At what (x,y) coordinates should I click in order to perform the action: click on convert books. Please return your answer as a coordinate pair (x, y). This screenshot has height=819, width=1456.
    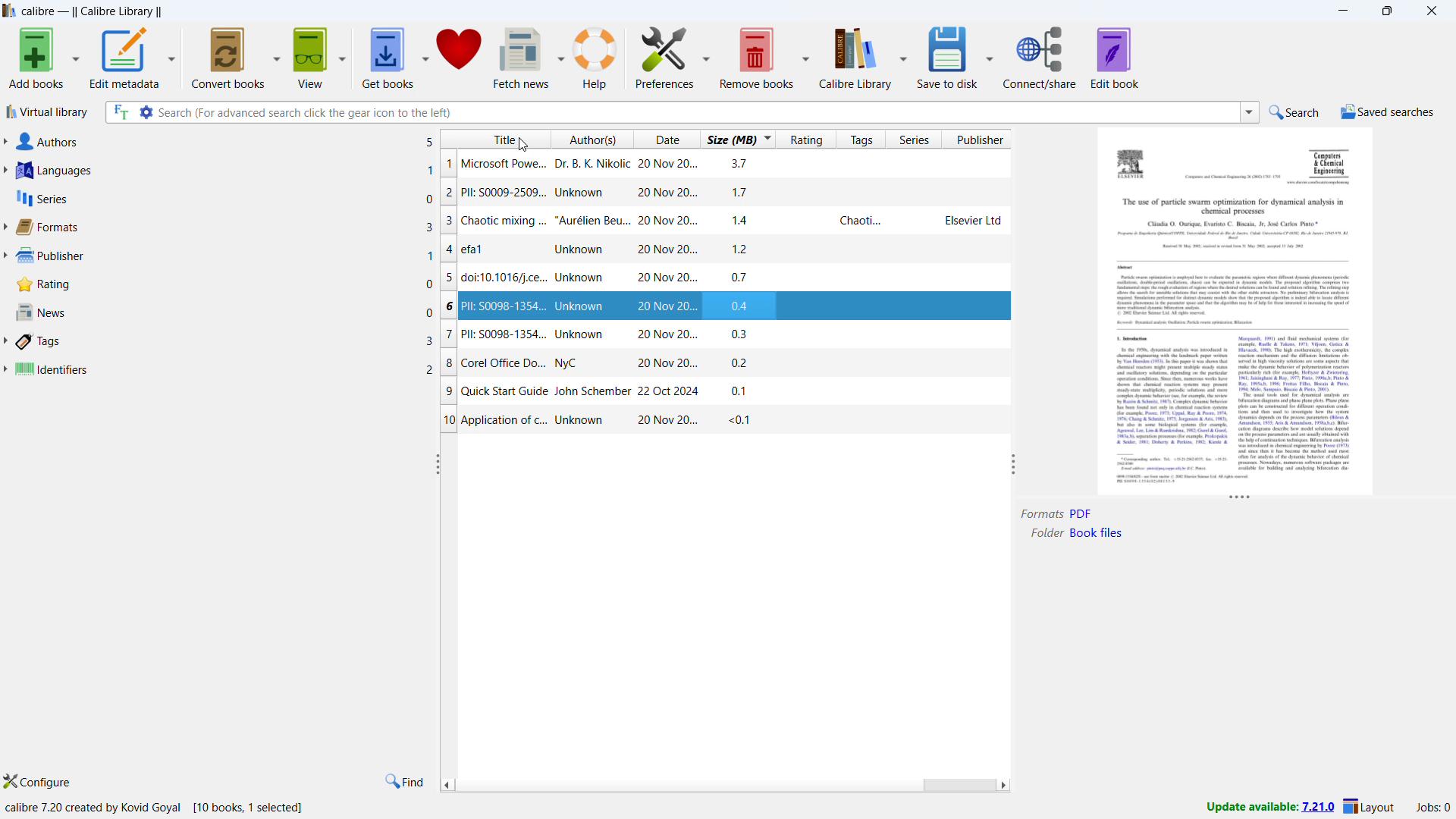
    Looking at the image, I should click on (226, 58).